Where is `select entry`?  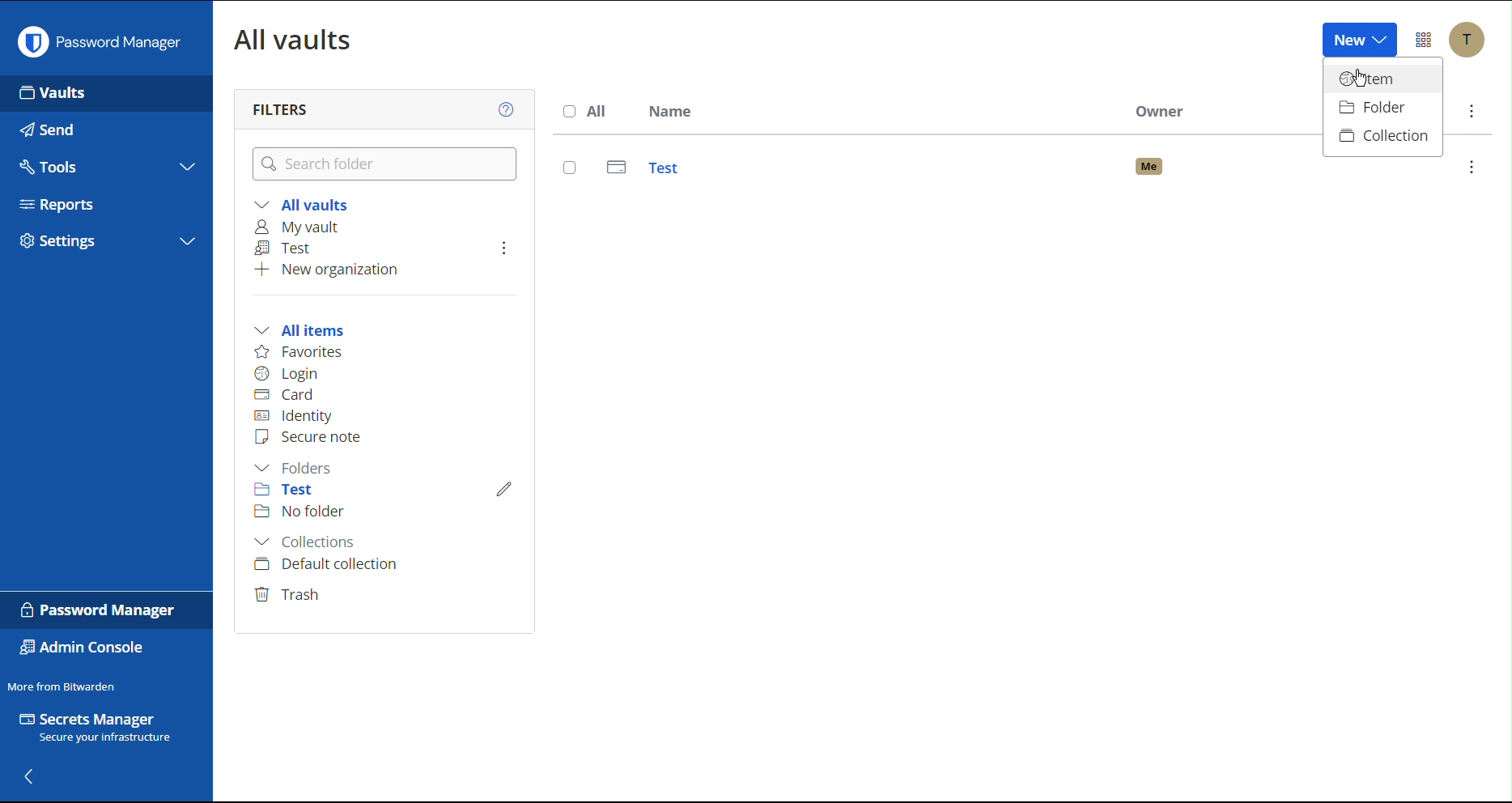
select entry is located at coordinates (570, 168).